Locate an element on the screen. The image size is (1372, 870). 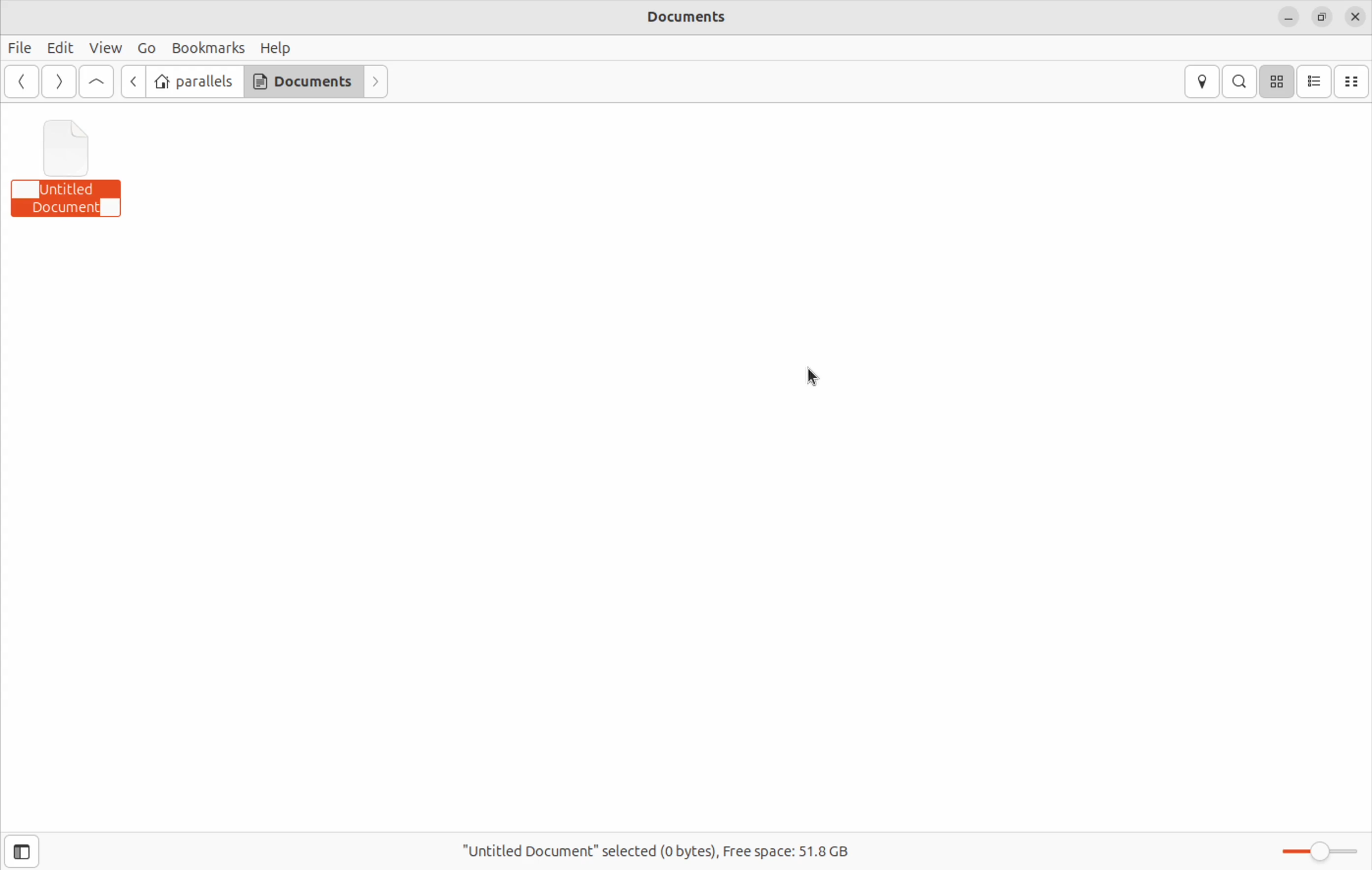
resize is located at coordinates (1320, 16).